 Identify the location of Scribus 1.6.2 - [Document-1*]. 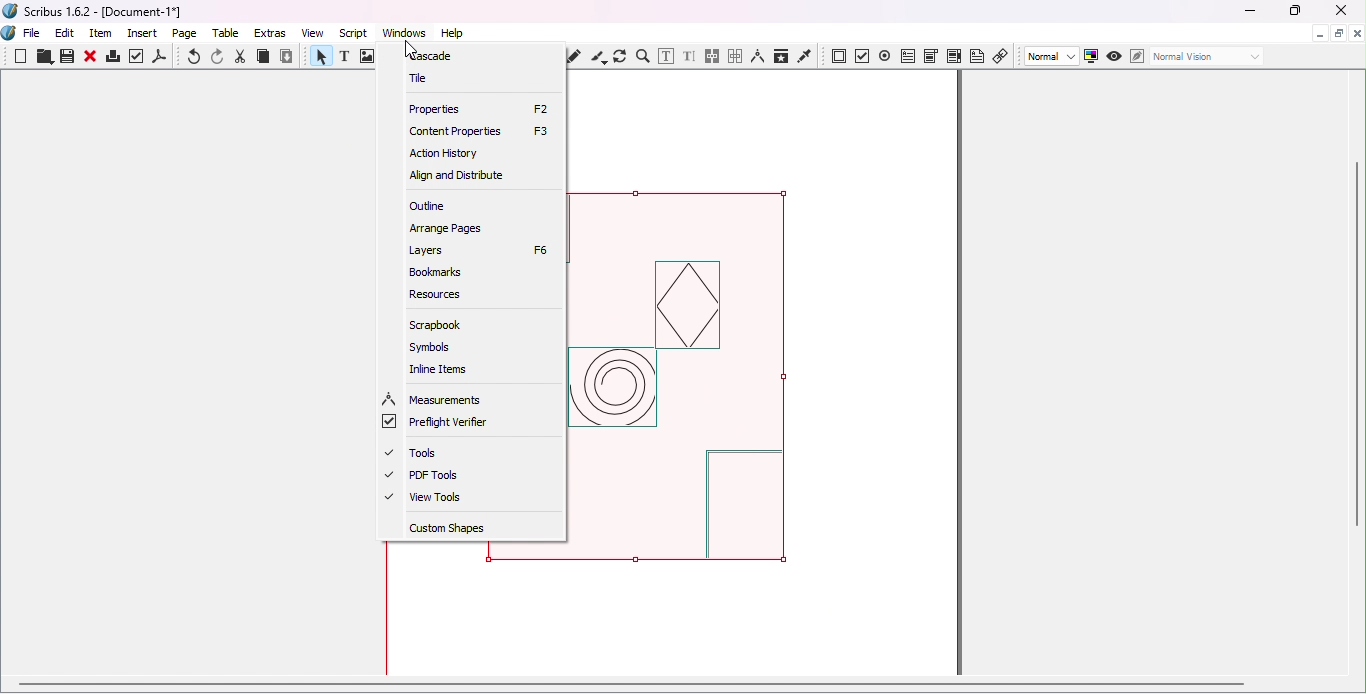
(101, 13).